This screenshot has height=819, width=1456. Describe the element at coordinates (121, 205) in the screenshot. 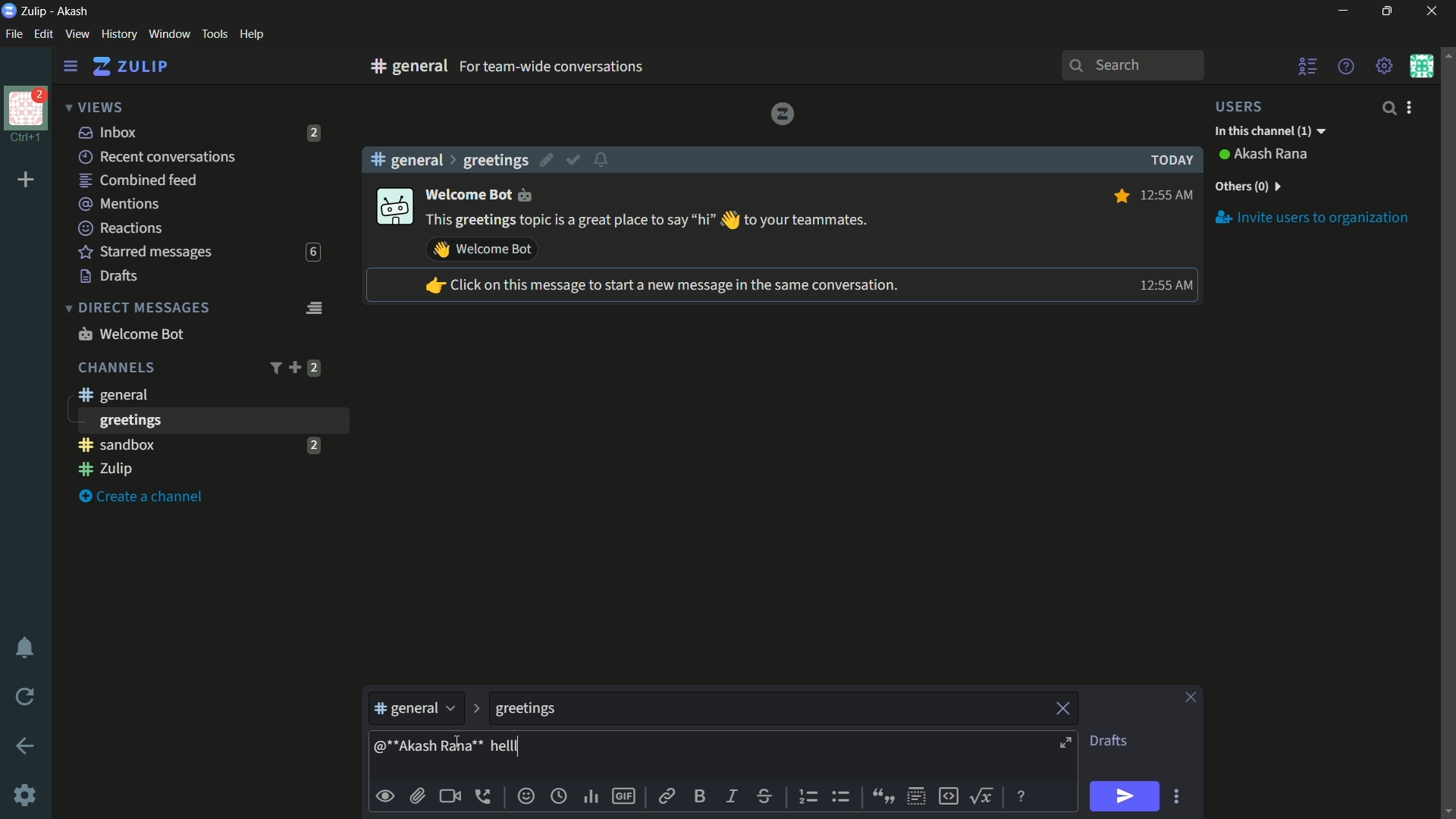

I see `mentions` at that location.